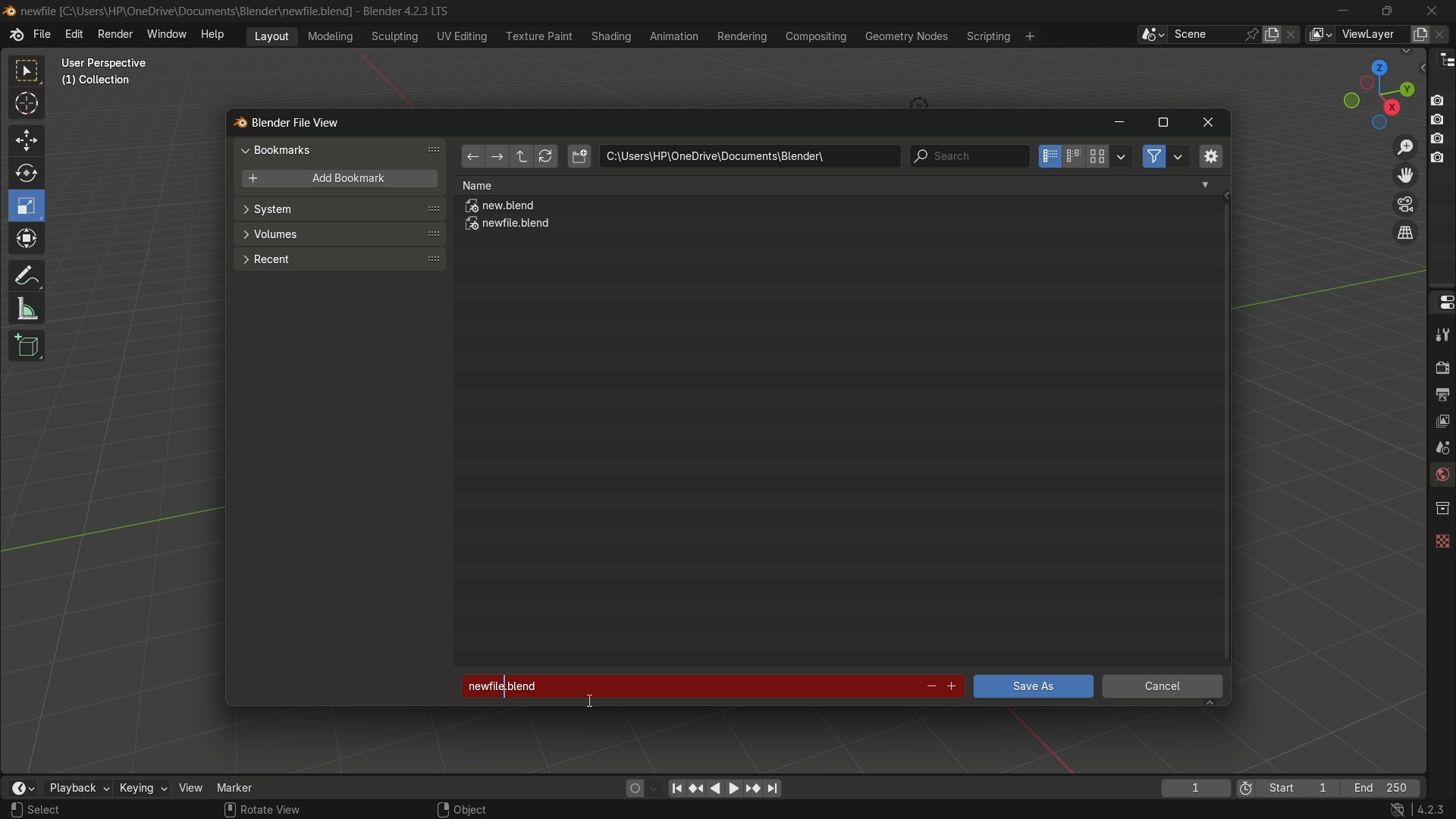 This screenshot has width=1456, height=819. Describe the element at coordinates (744, 36) in the screenshot. I see `rendering menu` at that location.